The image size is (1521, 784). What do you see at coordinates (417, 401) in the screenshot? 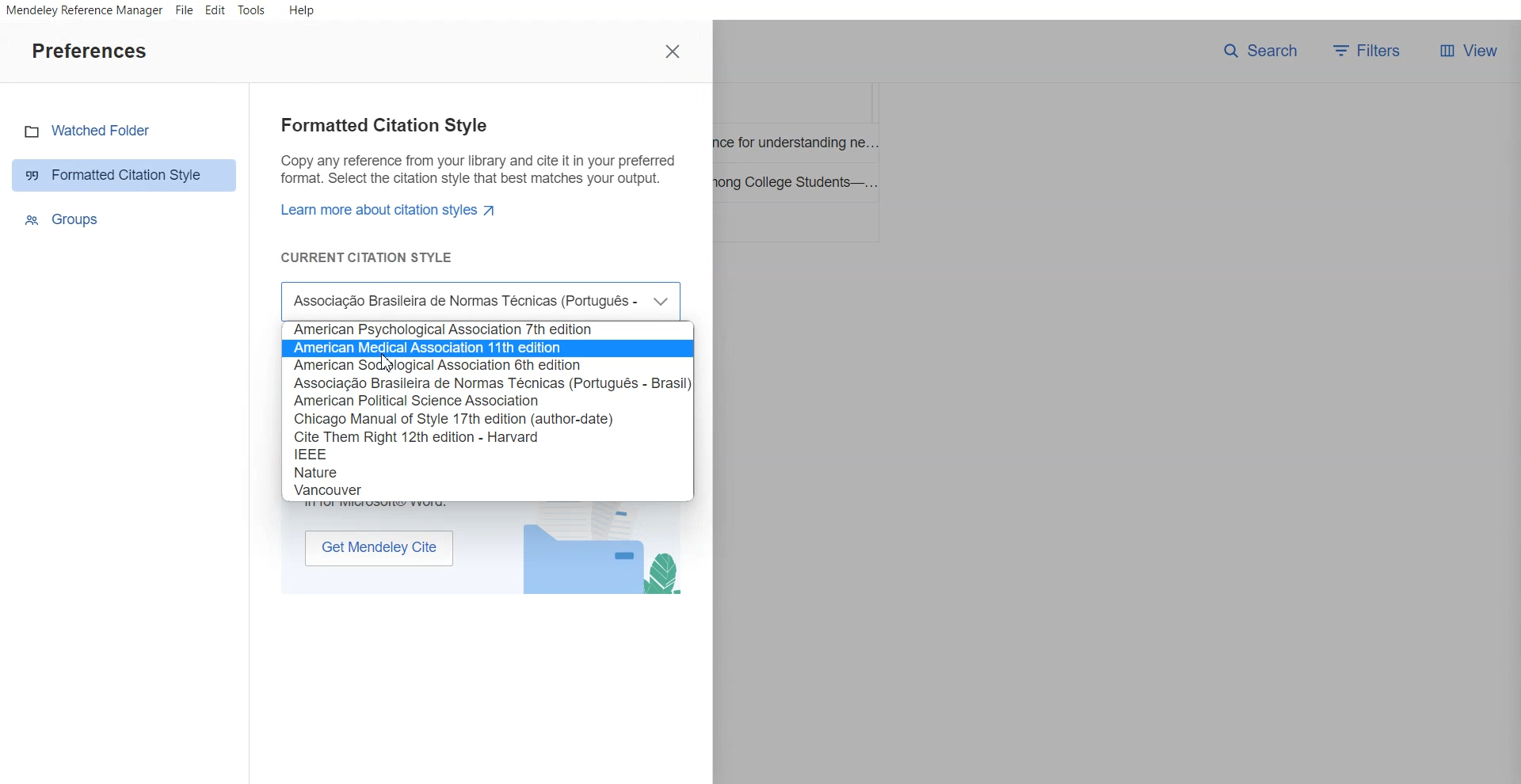
I see `Citation` at bounding box center [417, 401].